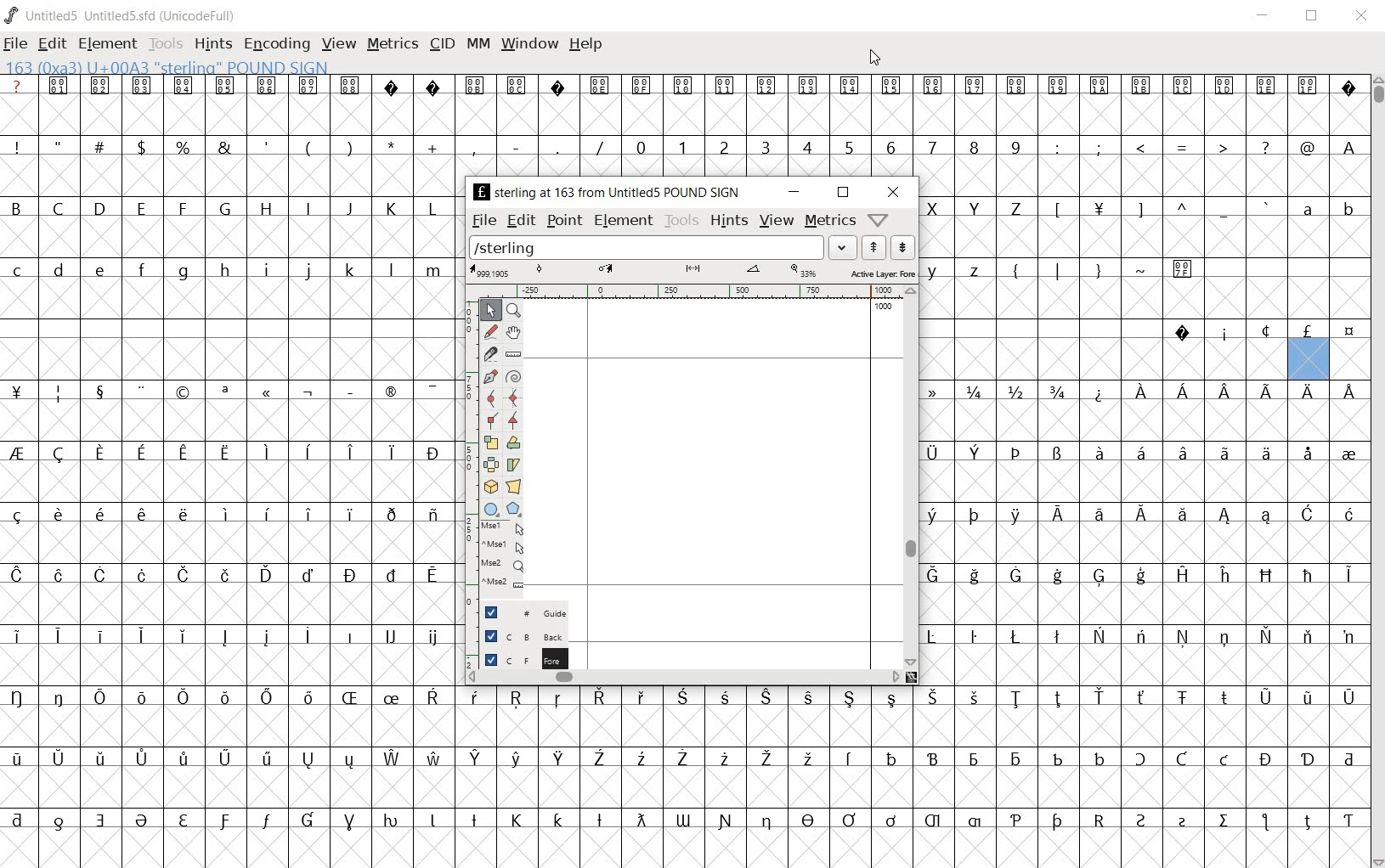  Describe the element at coordinates (349, 454) in the screenshot. I see `Symbol` at that location.